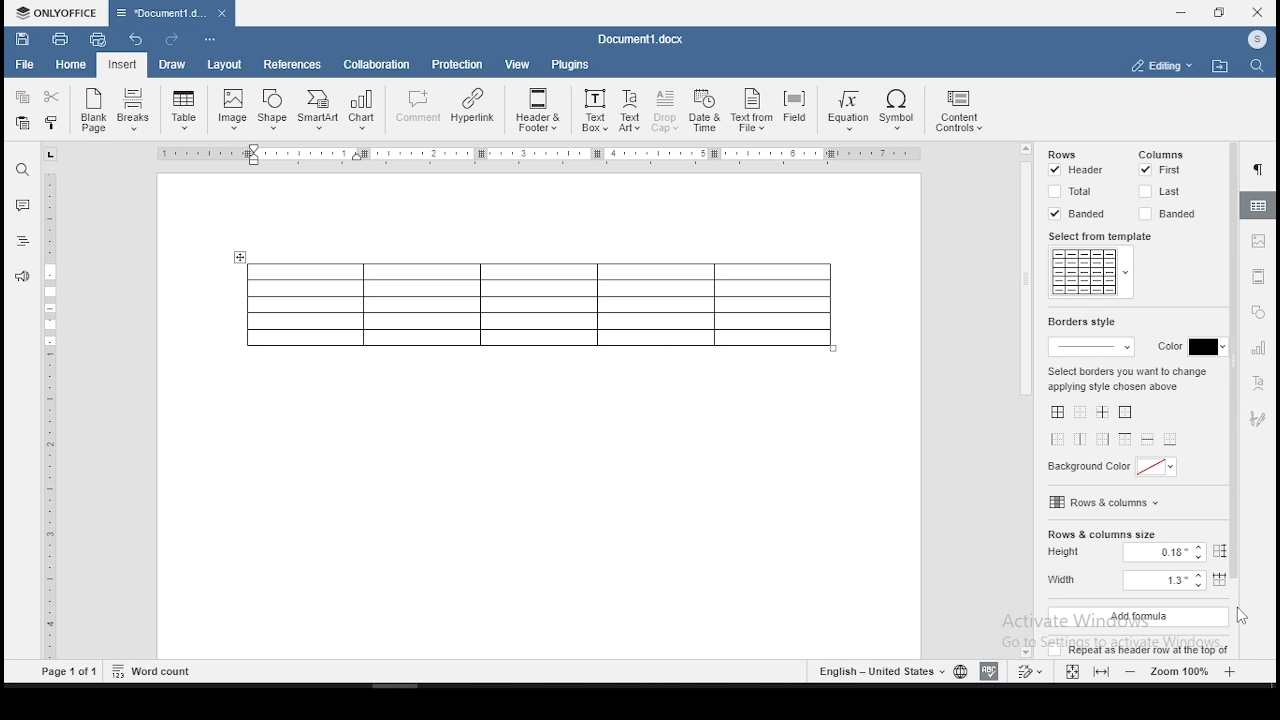  Describe the element at coordinates (1074, 171) in the screenshot. I see `header` at that location.